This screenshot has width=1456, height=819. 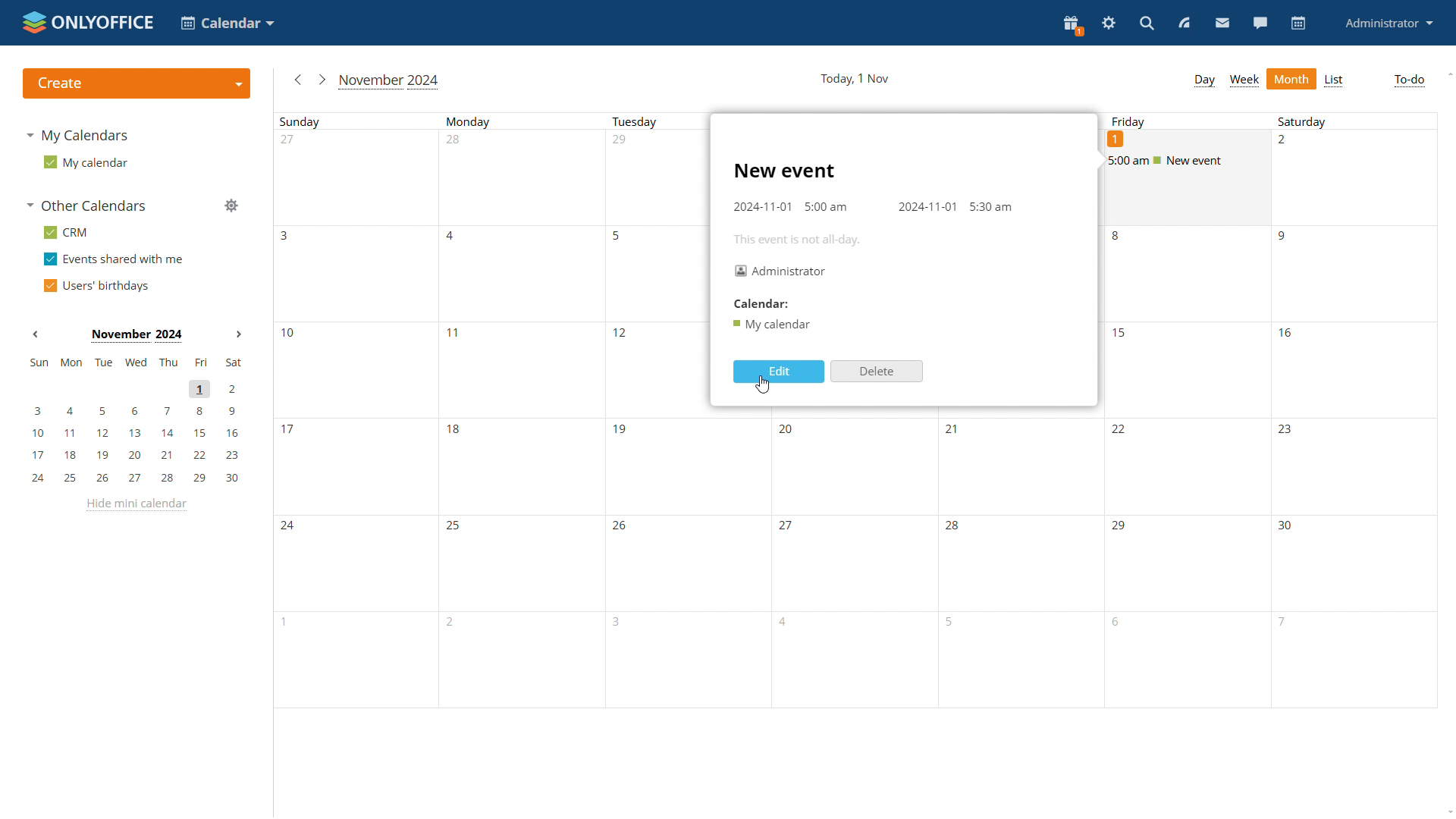 I want to click on event start time, so click(x=826, y=206).